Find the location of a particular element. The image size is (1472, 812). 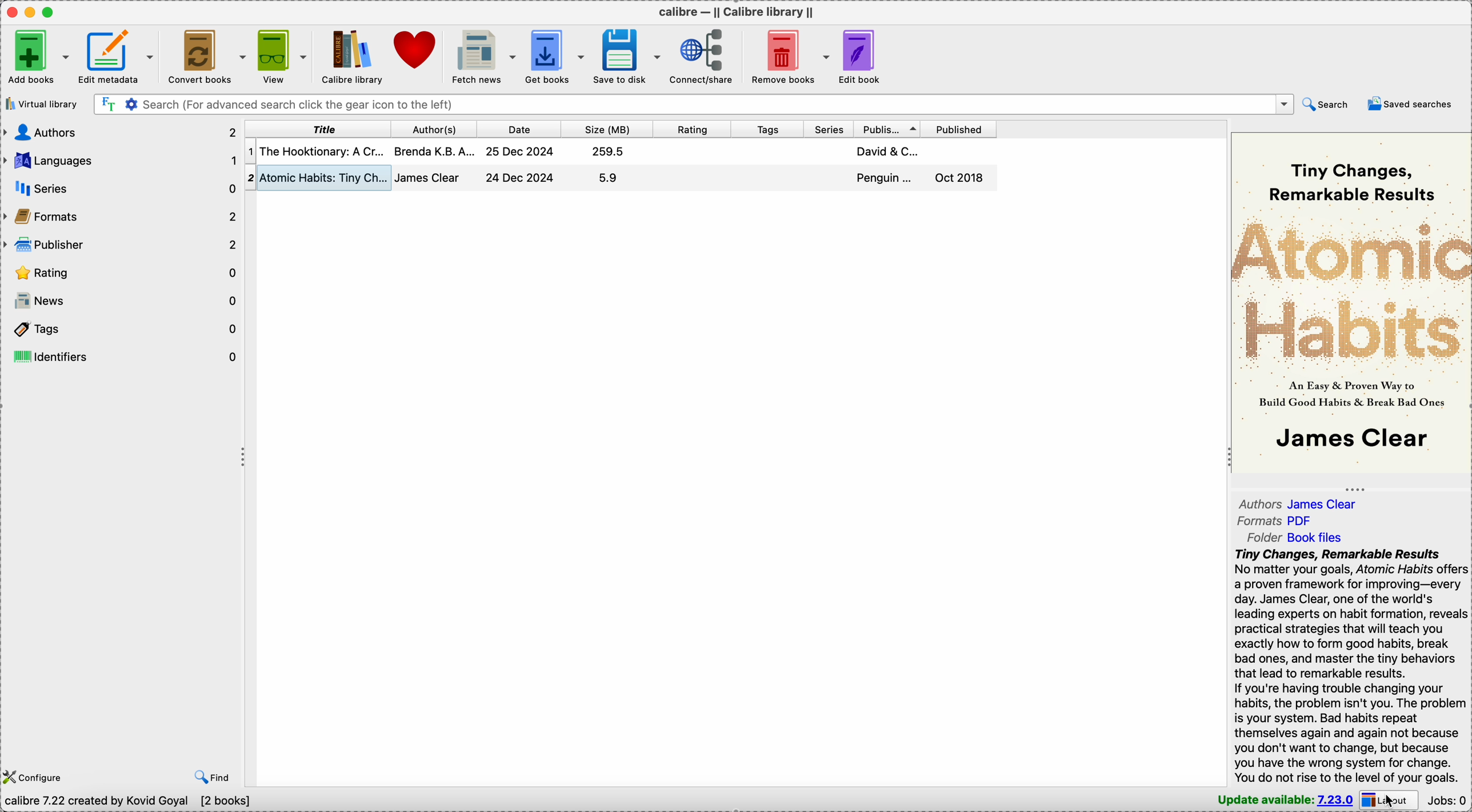

24 Dec 2024 is located at coordinates (519, 177).